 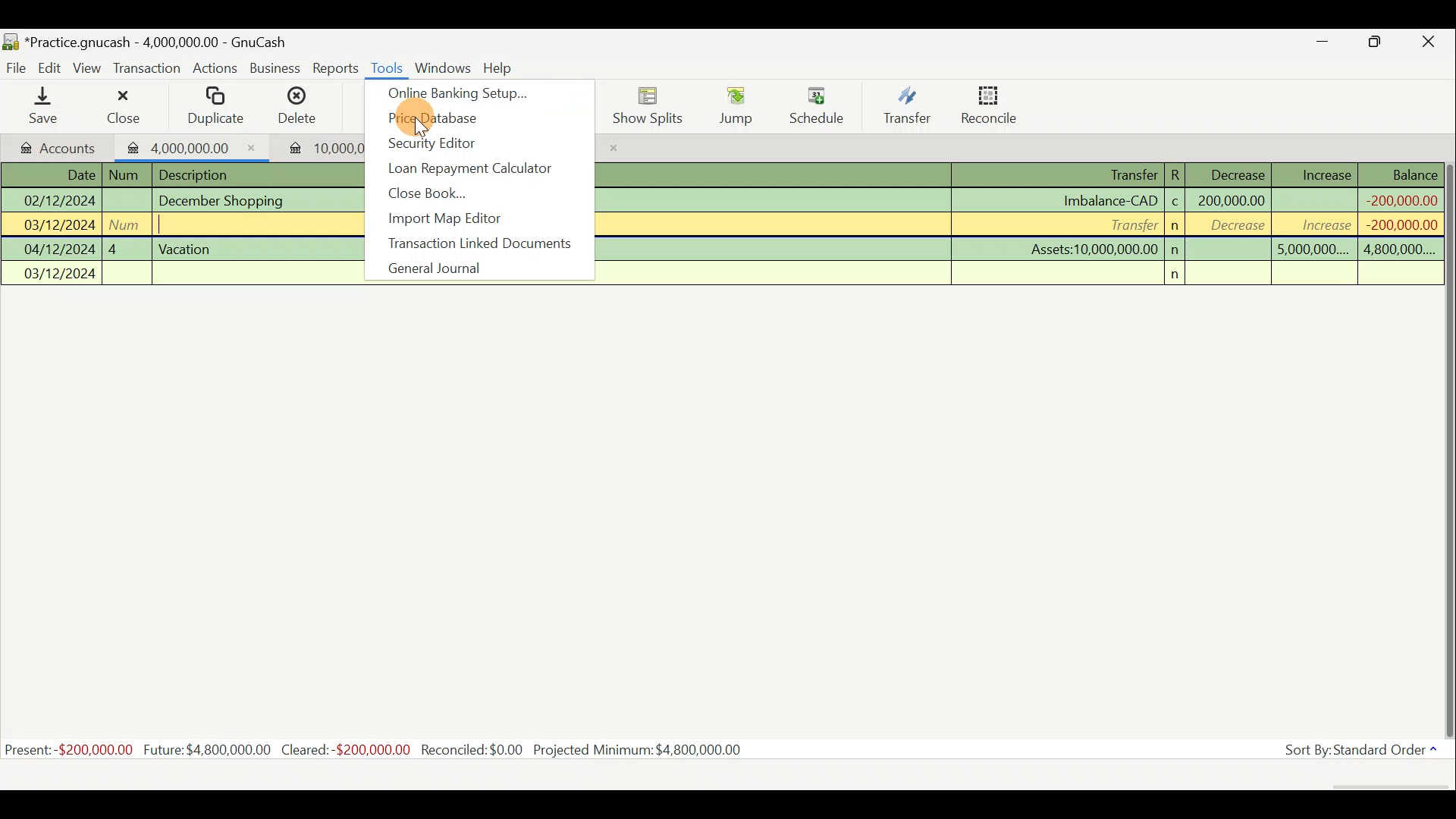 I want to click on Duplicate, so click(x=218, y=106).